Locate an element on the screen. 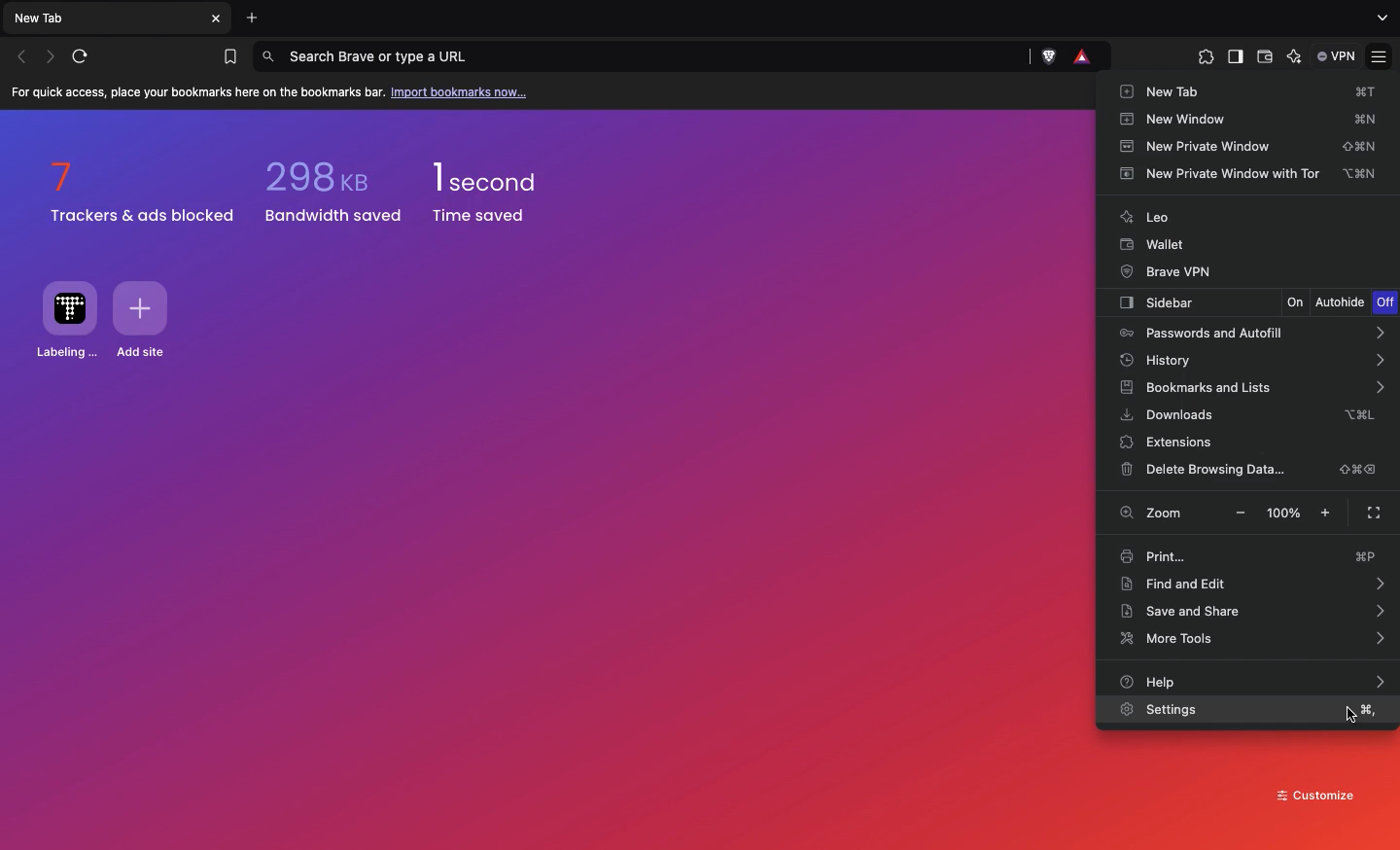  Extensions is located at coordinates (1202, 57).